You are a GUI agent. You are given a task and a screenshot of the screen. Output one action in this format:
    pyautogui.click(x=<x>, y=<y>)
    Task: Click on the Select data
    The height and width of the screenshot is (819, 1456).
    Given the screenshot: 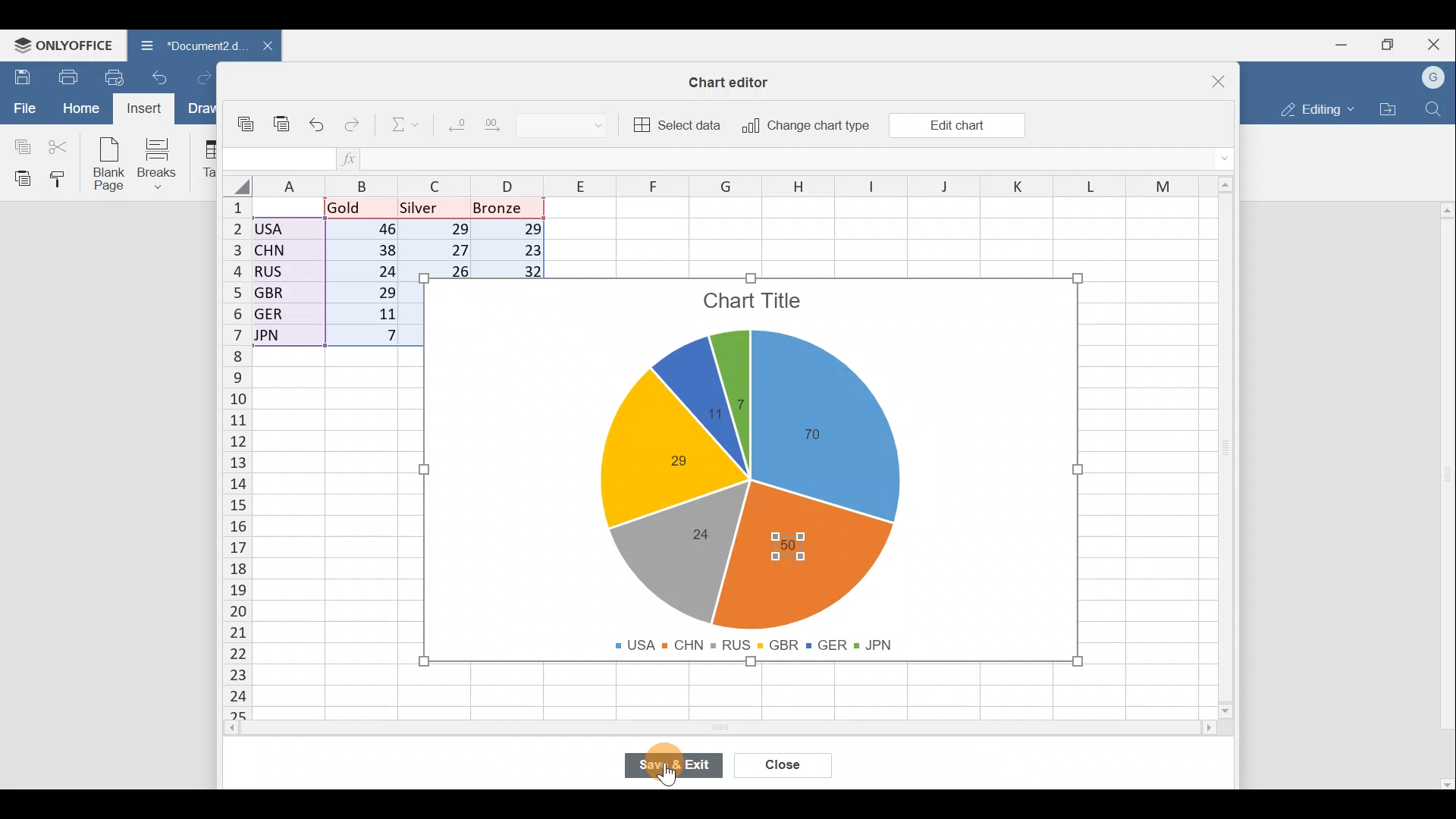 What is the action you would take?
    pyautogui.click(x=676, y=123)
    